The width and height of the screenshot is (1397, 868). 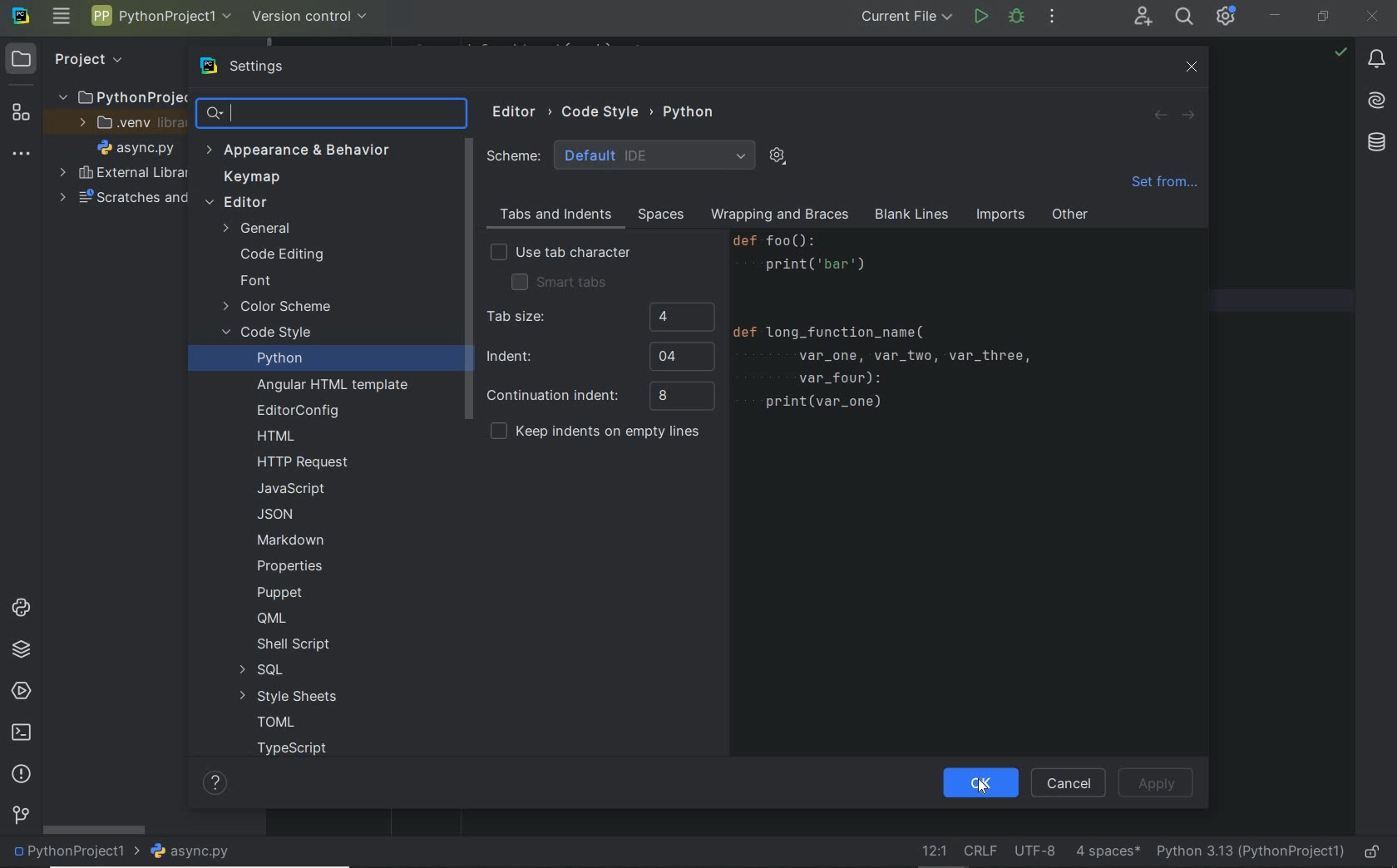 What do you see at coordinates (1339, 53) in the screenshot?
I see `highlight: all problems` at bounding box center [1339, 53].